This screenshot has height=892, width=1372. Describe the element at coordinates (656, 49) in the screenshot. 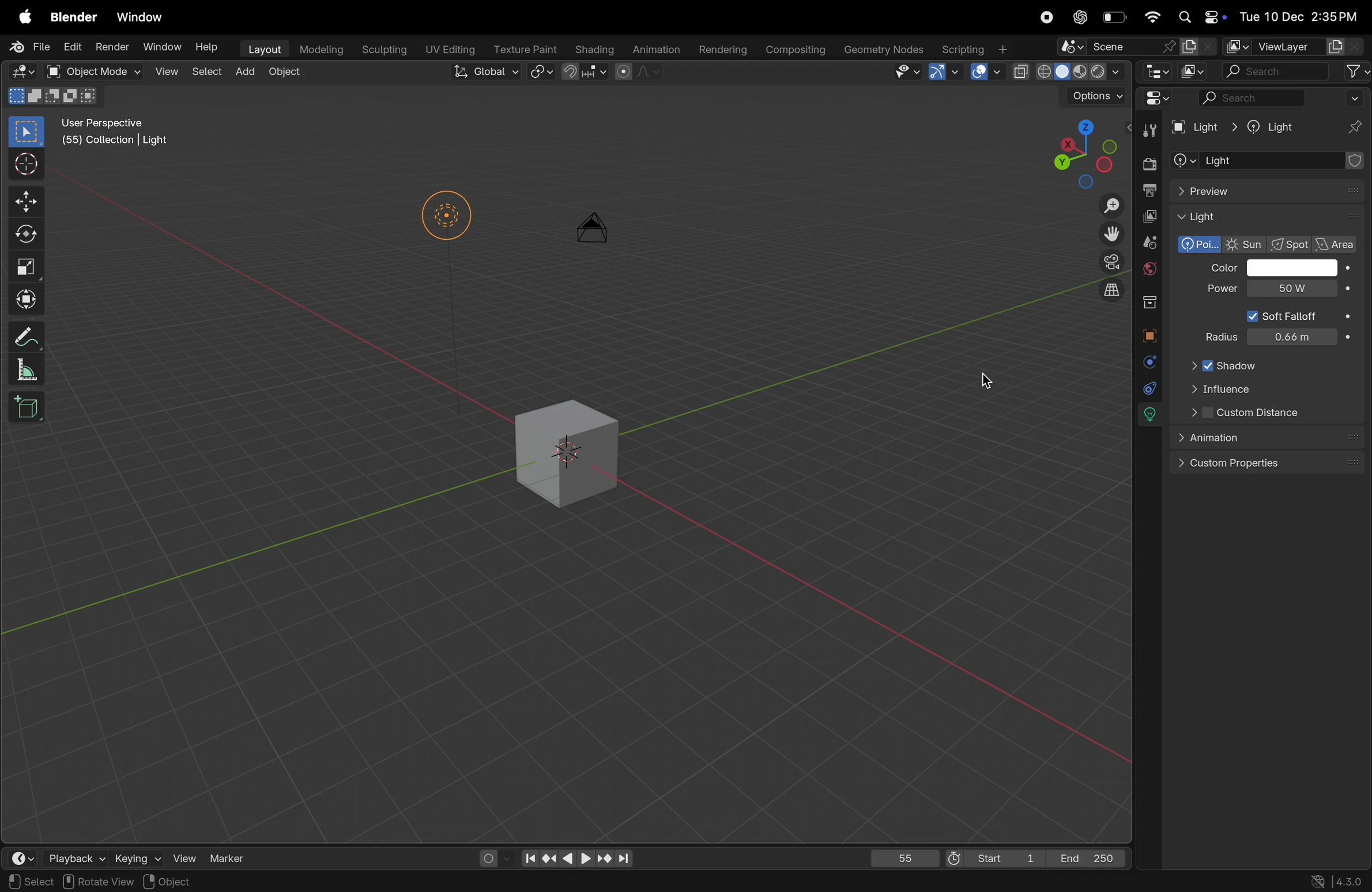

I see `animation` at that location.